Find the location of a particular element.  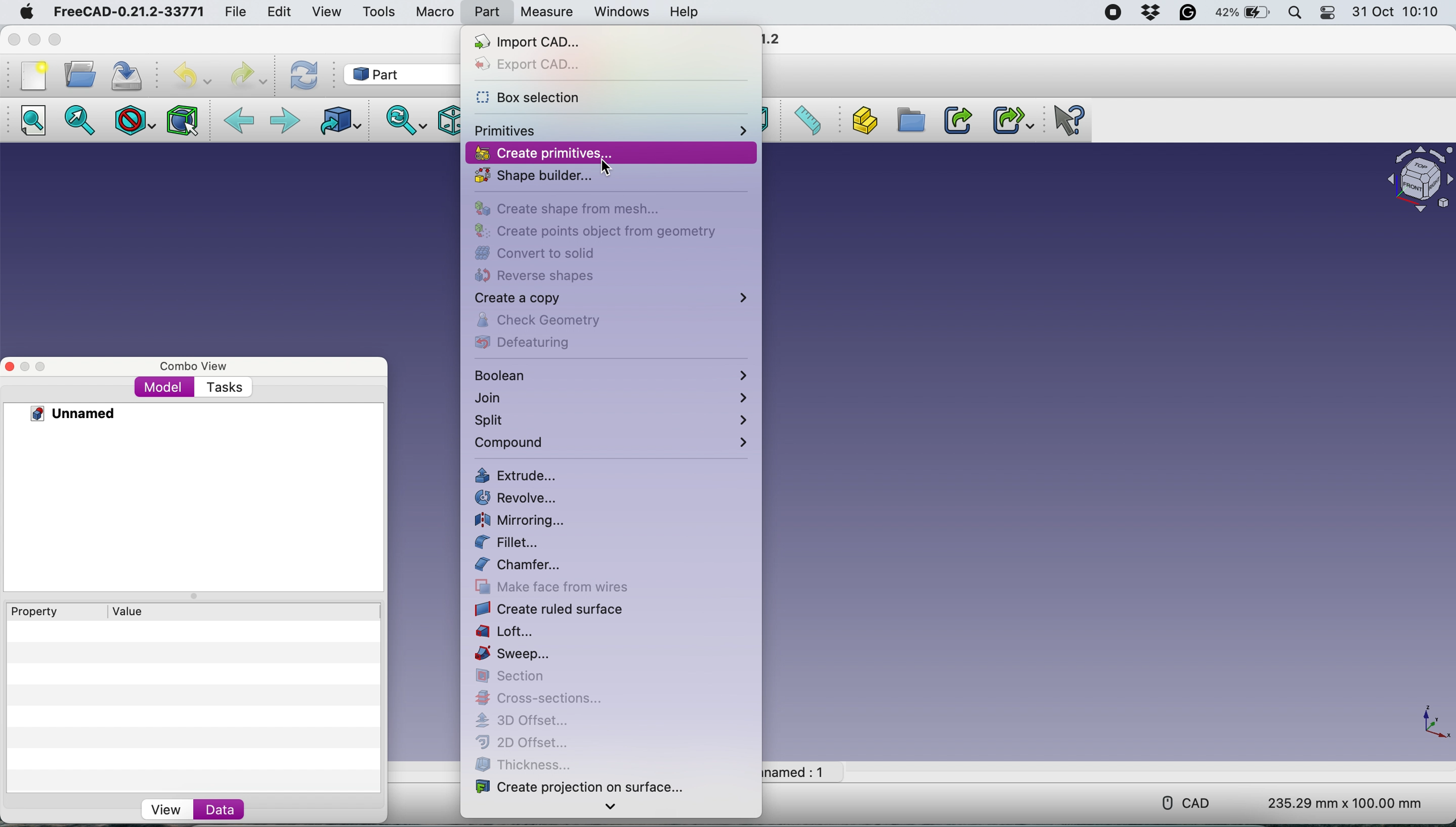

Work bench is located at coordinates (398, 75).